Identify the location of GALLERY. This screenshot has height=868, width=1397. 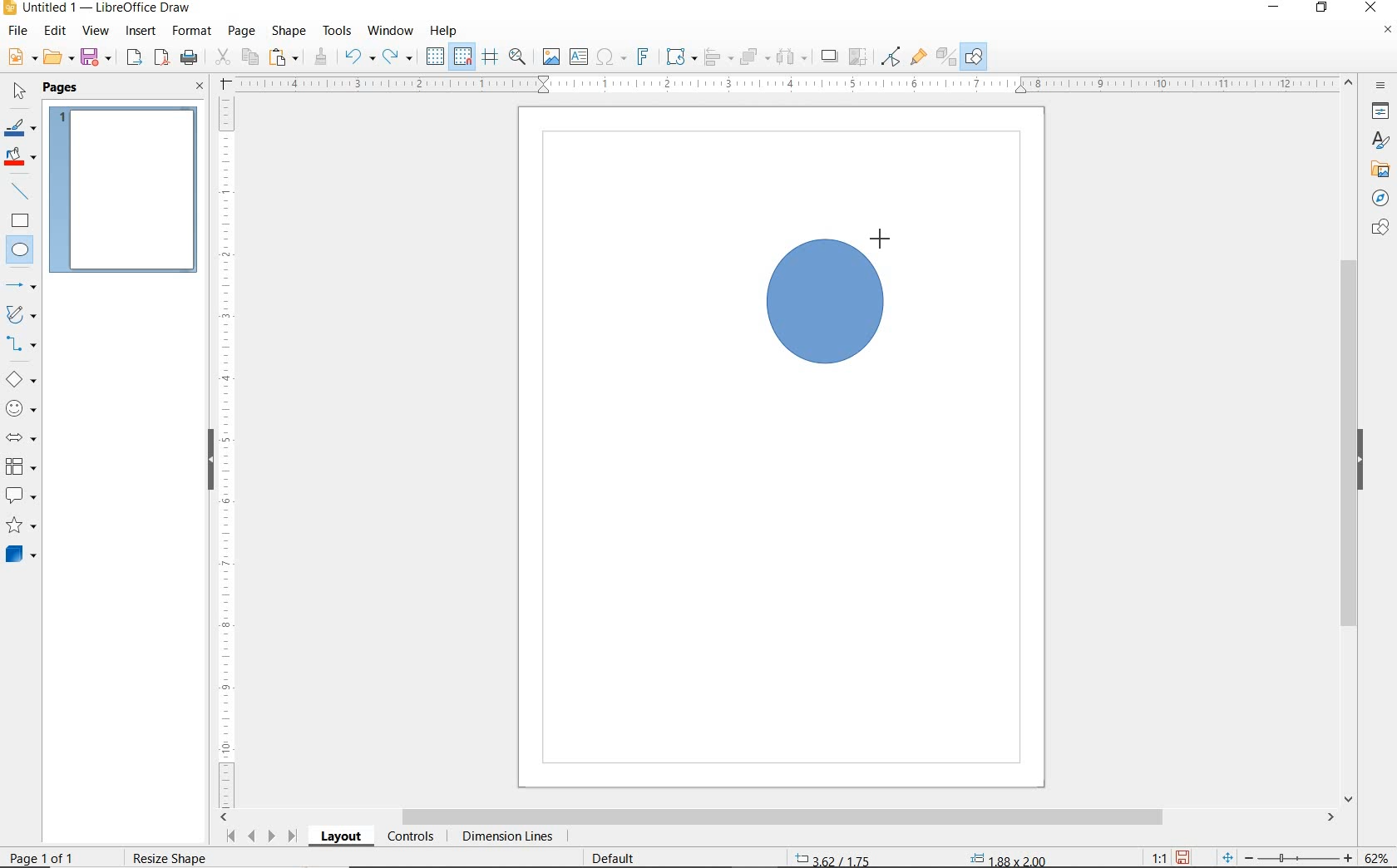
(1378, 170).